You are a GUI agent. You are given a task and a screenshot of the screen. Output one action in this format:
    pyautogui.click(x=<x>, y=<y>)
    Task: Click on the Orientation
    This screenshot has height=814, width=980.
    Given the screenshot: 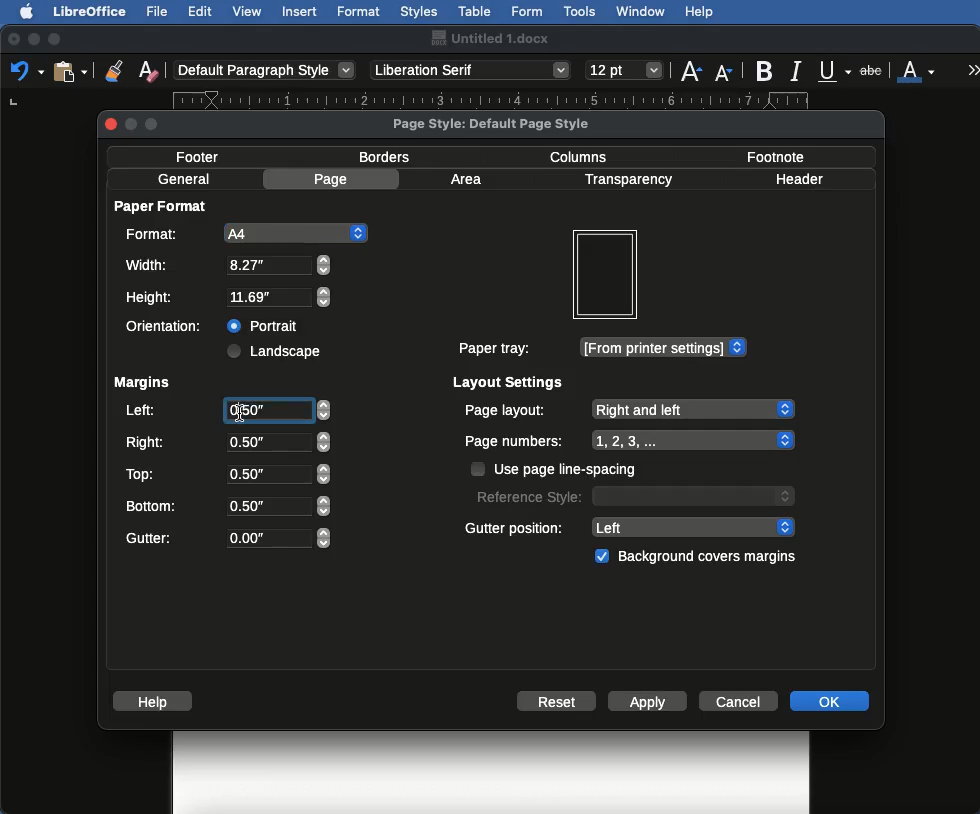 What is the action you would take?
    pyautogui.click(x=168, y=326)
    